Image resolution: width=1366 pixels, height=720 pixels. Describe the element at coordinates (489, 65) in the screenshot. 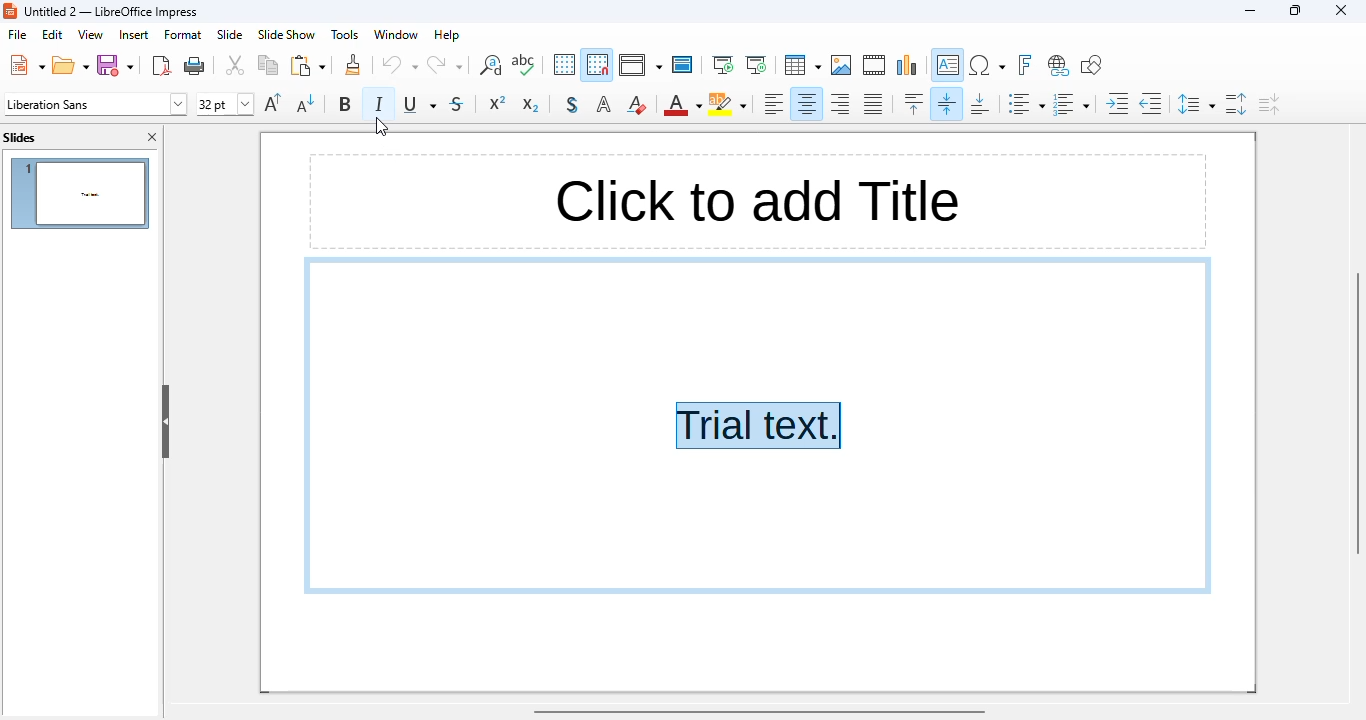

I see `find and replace` at that location.